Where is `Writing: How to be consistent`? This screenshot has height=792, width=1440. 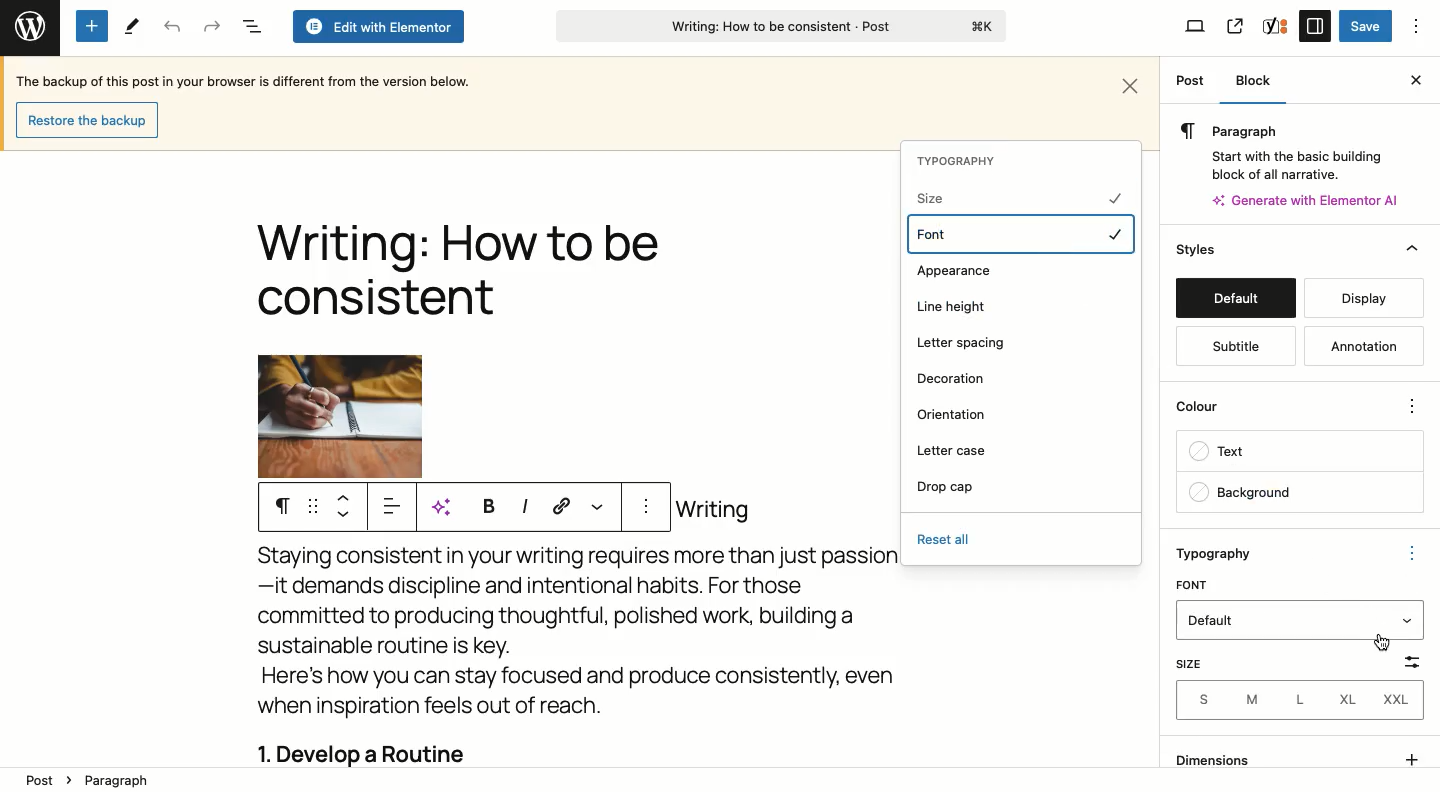
Writing: How to be consistent is located at coordinates (779, 29).